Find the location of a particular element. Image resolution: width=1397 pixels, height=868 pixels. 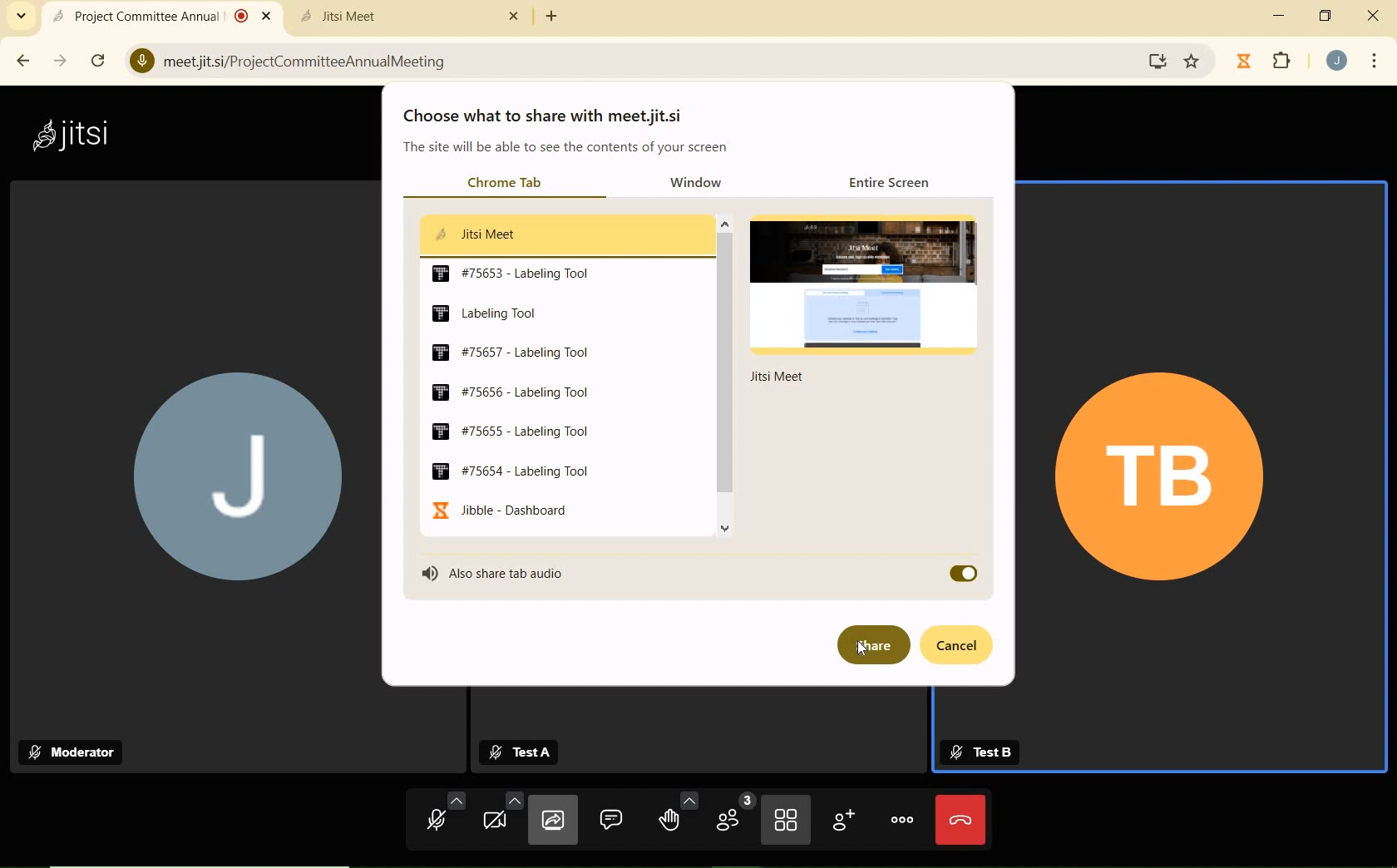

Project Committee Annual is located at coordinates (160, 15).